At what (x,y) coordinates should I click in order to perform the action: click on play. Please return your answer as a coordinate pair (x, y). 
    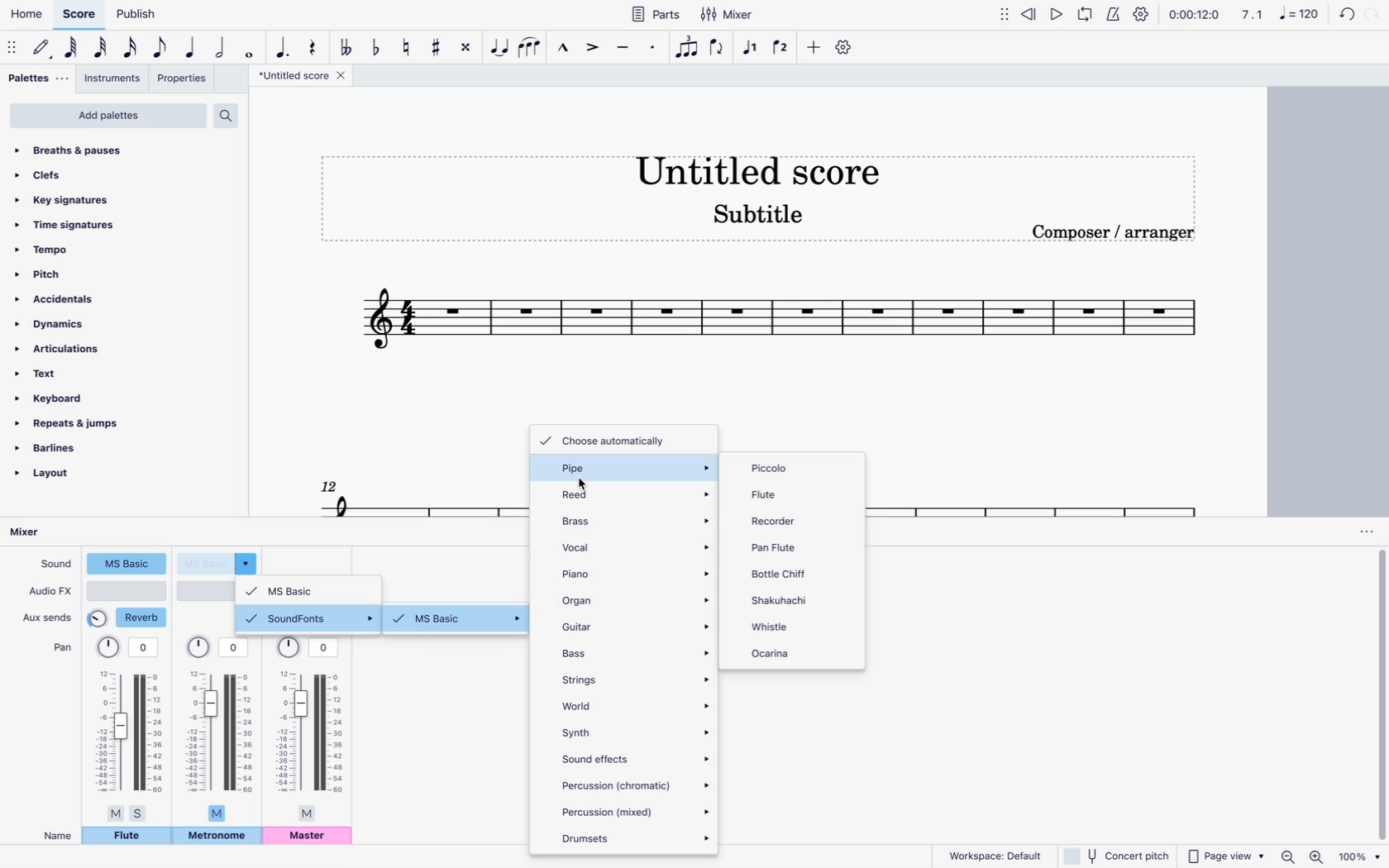
    Looking at the image, I should click on (1056, 14).